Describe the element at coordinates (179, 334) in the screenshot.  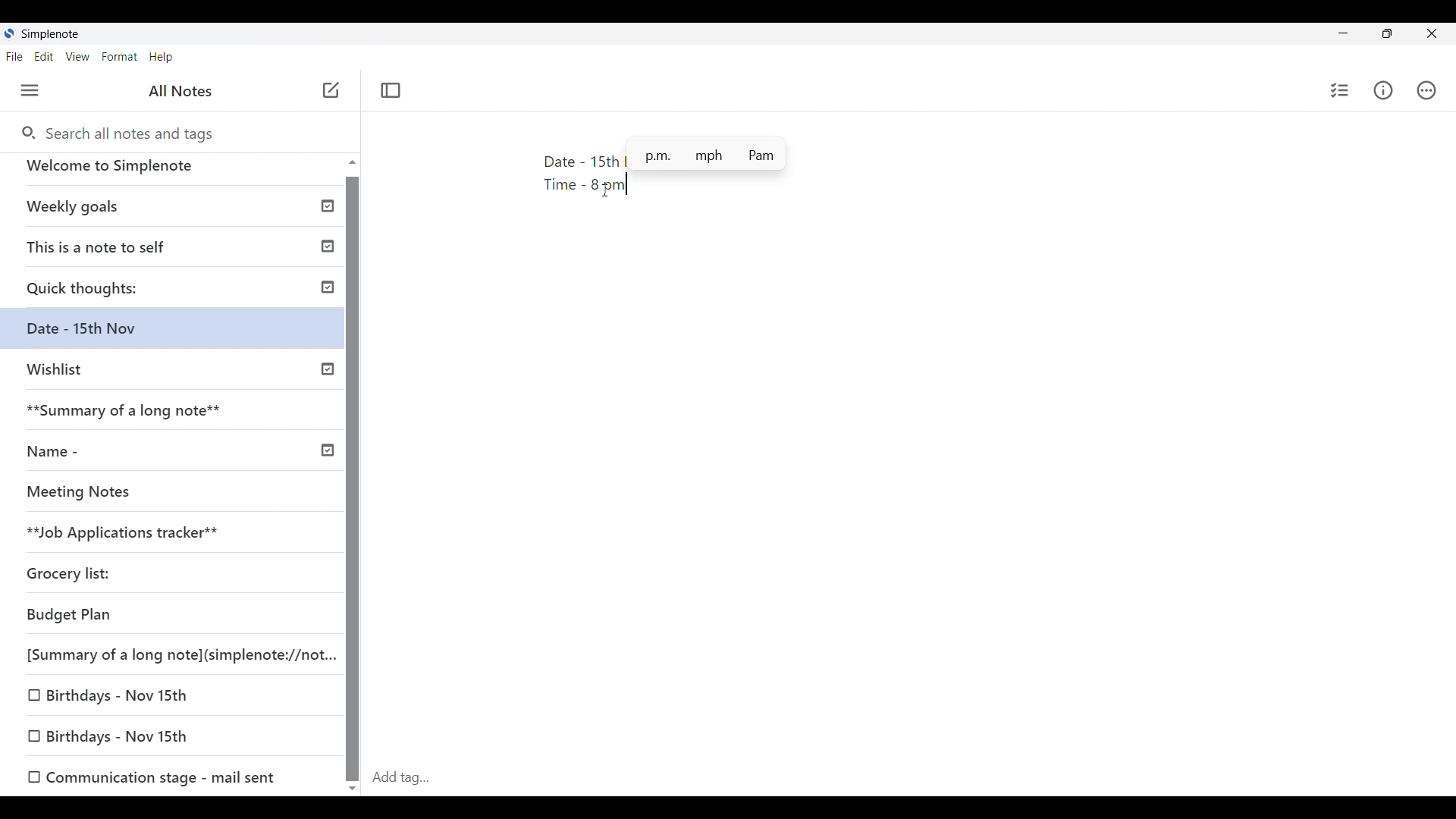
I see `Note text changed` at that location.